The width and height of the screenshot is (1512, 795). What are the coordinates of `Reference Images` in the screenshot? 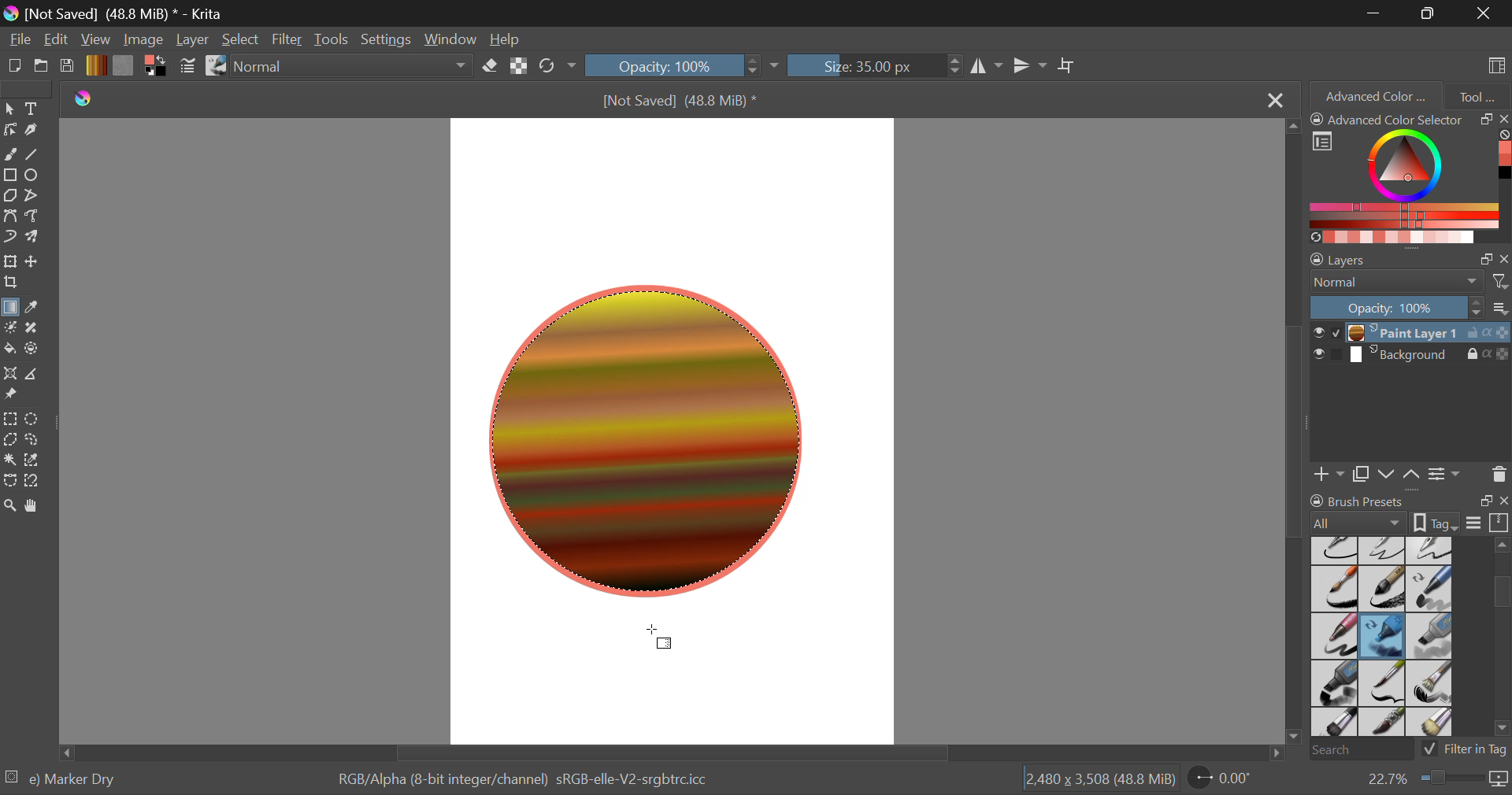 It's located at (13, 395).